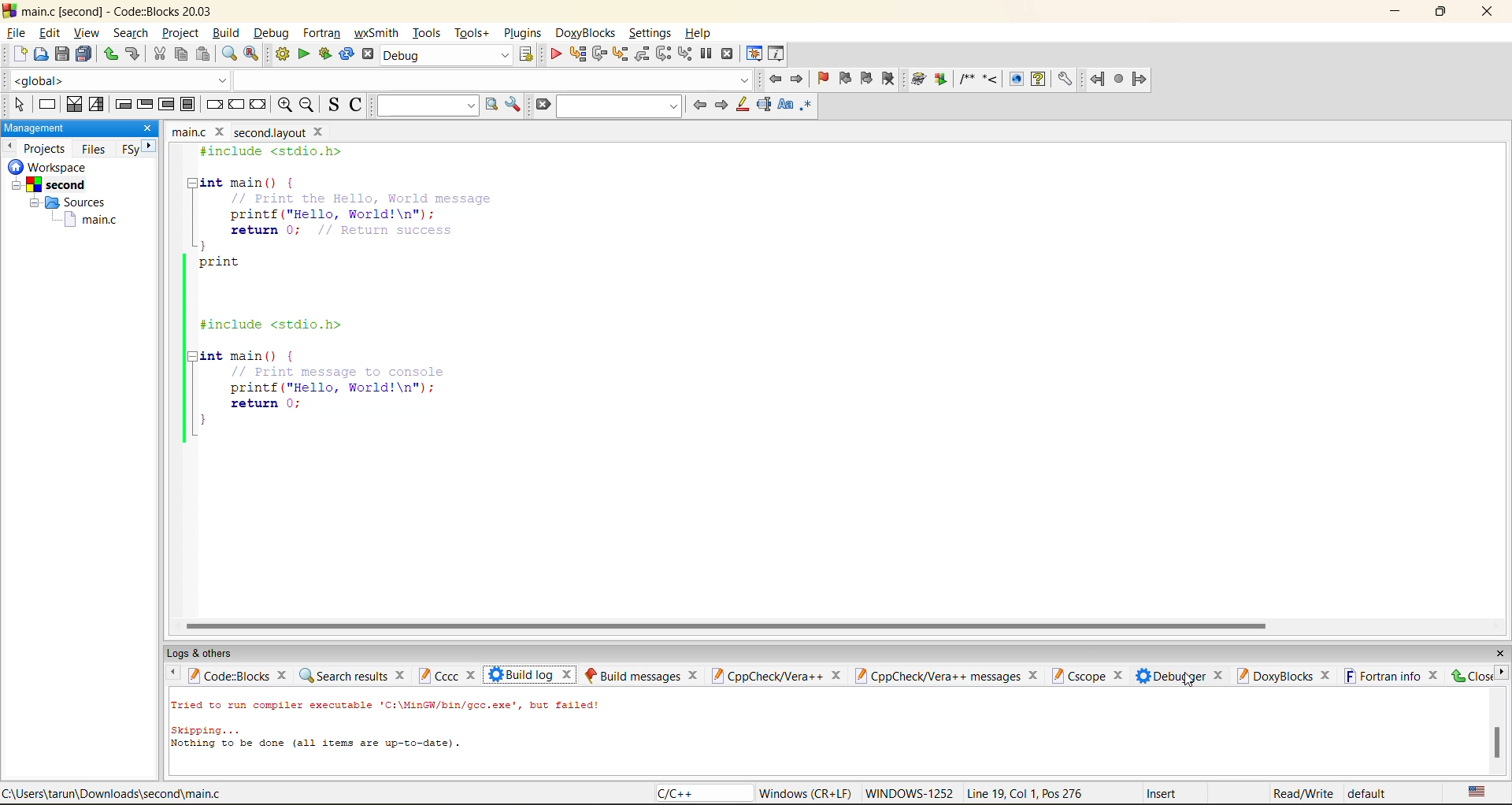 The height and width of the screenshot is (805, 1512). What do you see at coordinates (650, 30) in the screenshot?
I see `settings` at bounding box center [650, 30].